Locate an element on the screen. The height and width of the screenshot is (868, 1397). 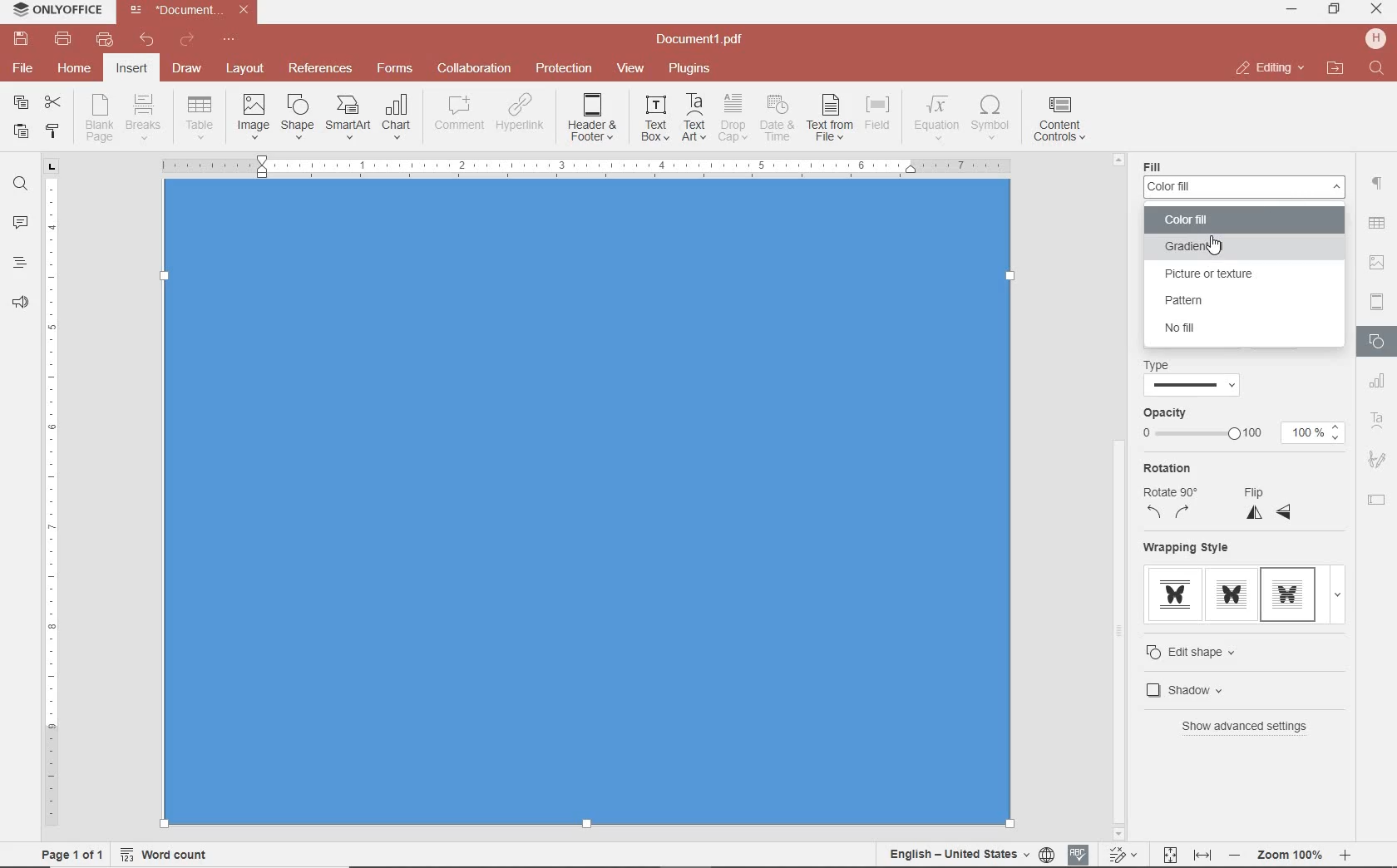
set document language is located at coordinates (970, 854).